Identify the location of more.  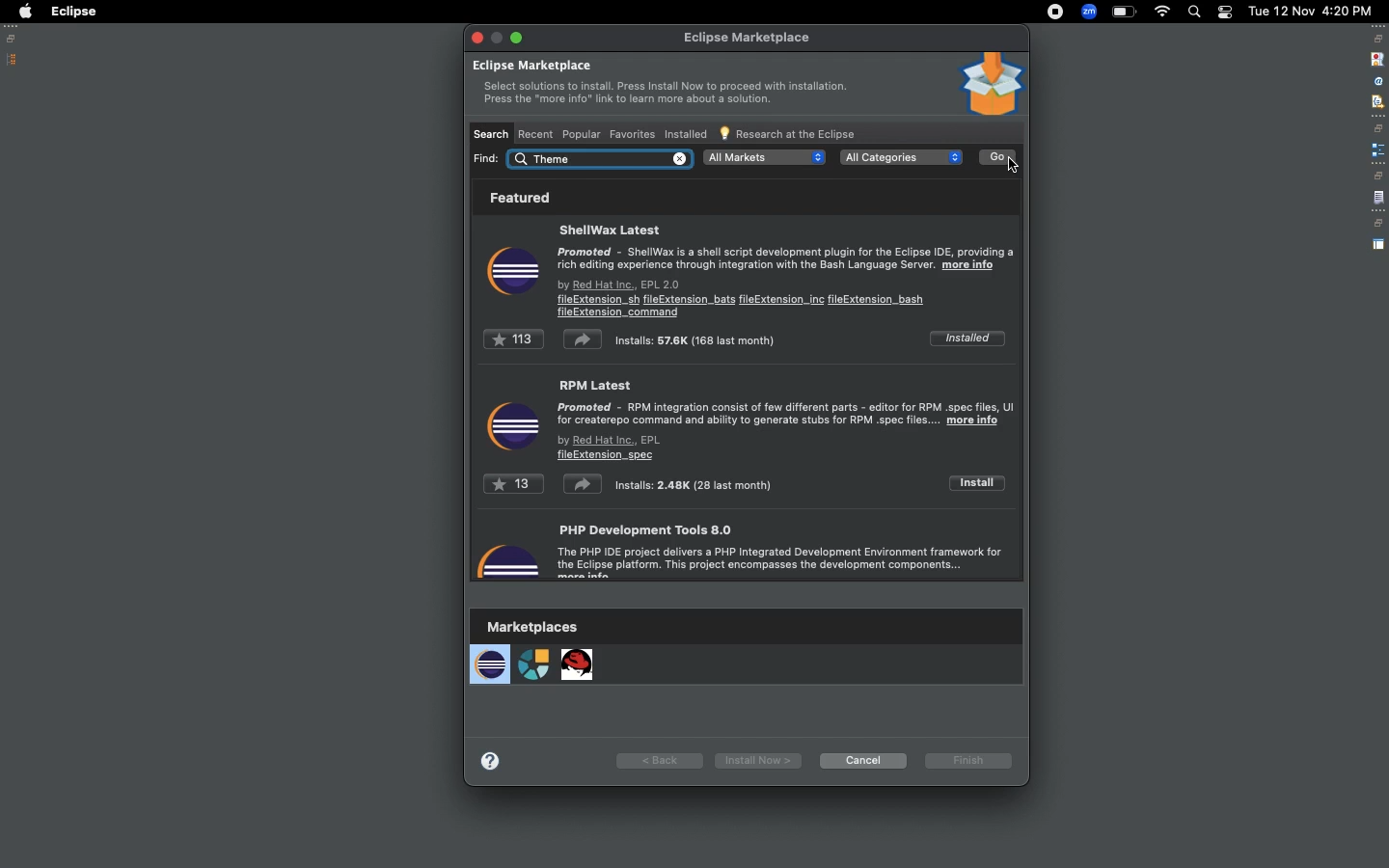
(495, 758).